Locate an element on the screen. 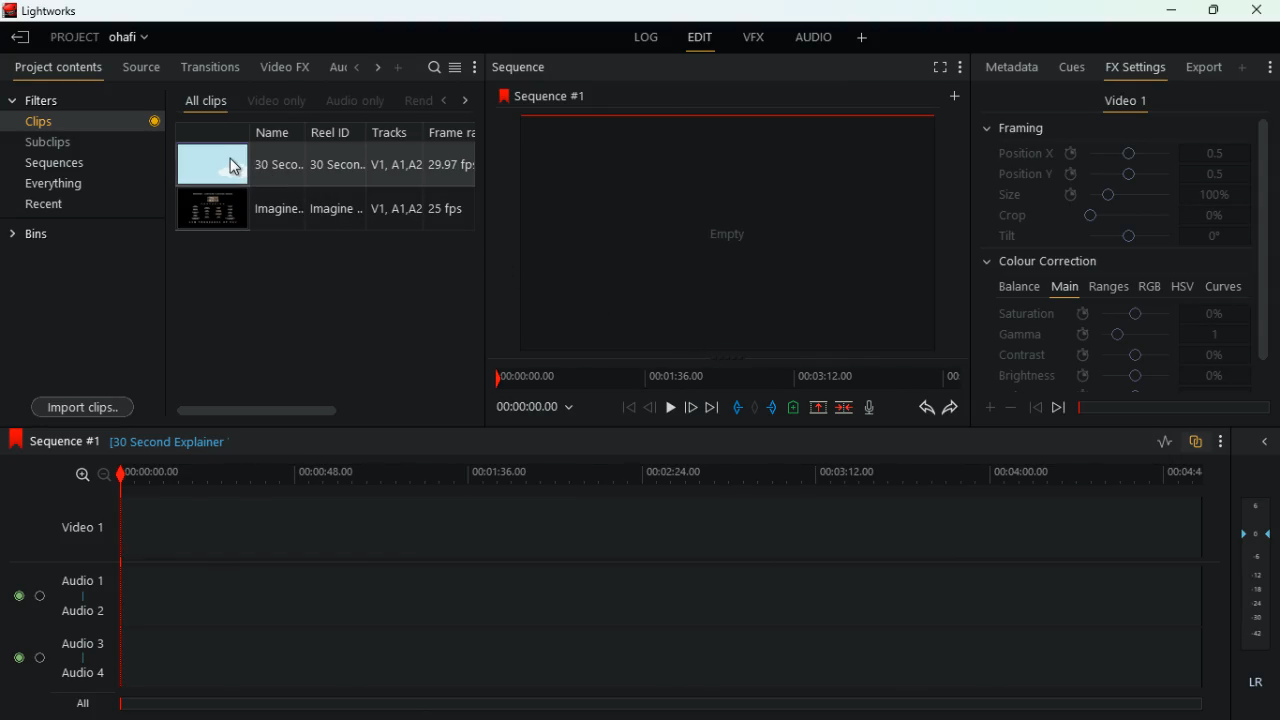 The image size is (1280, 720). gamma is located at coordinates (1110, 334).